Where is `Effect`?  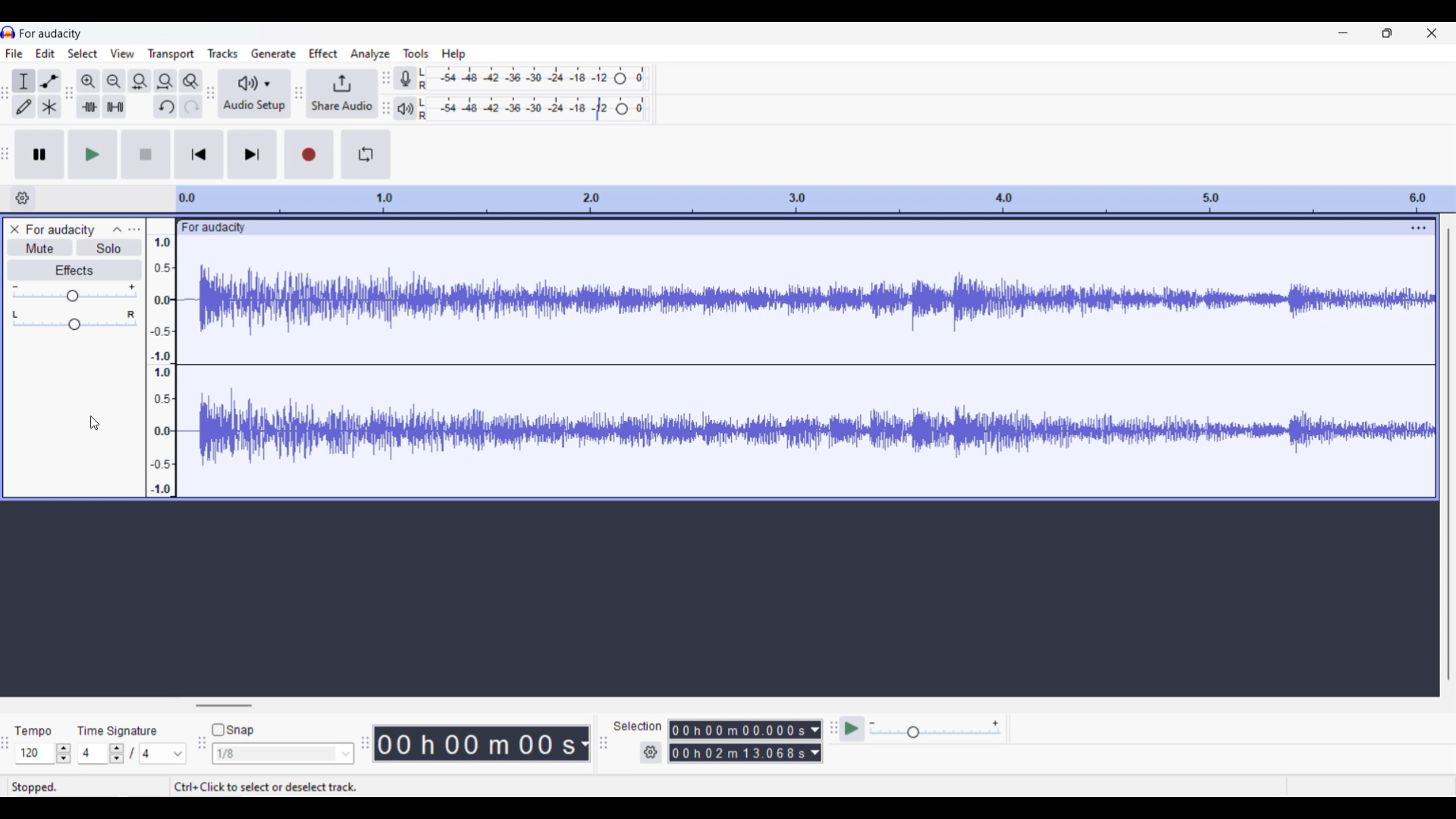 Effect is located at coordinates (323, 53).